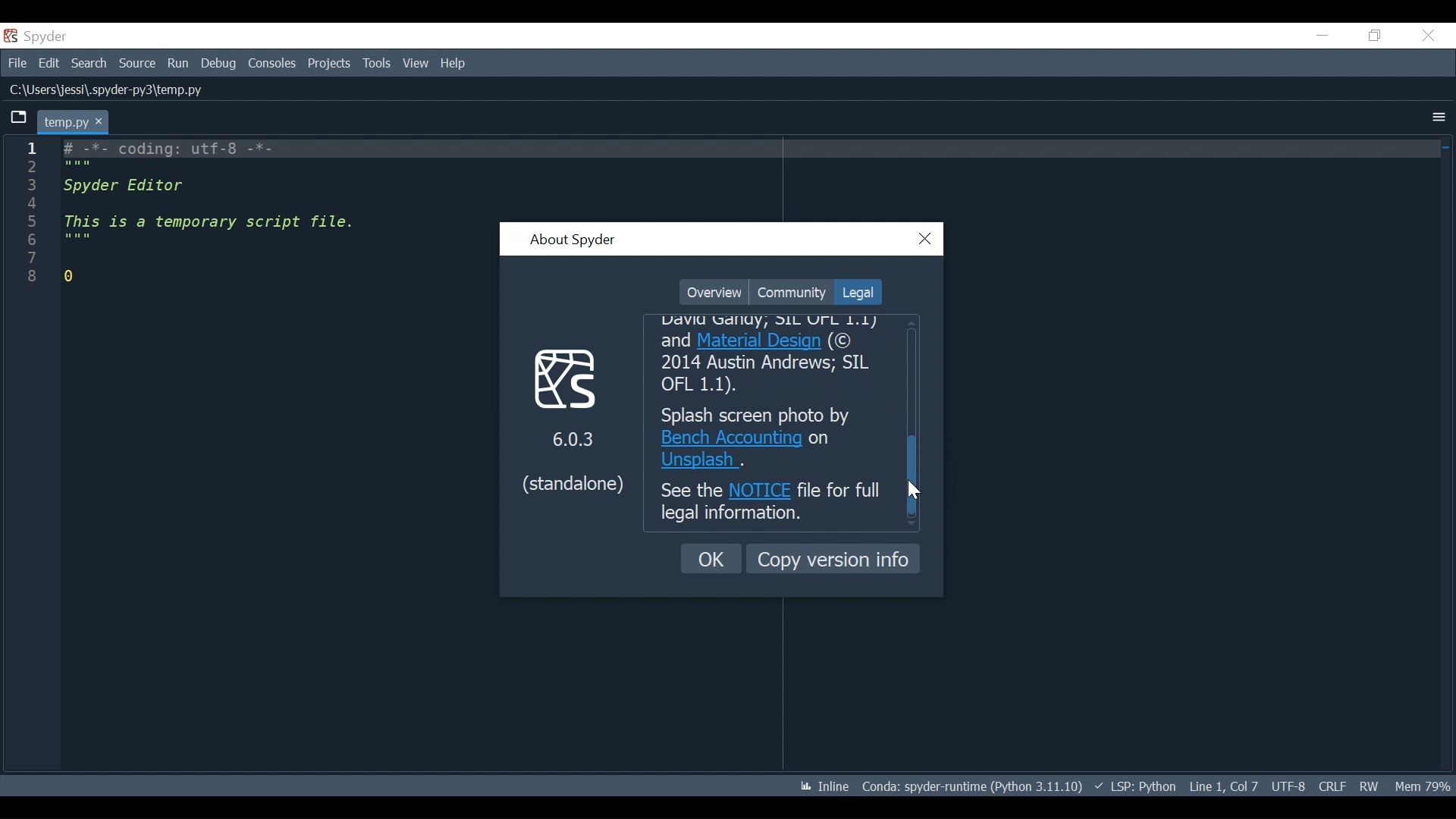  I want to click on Tools, so click(378, 64).